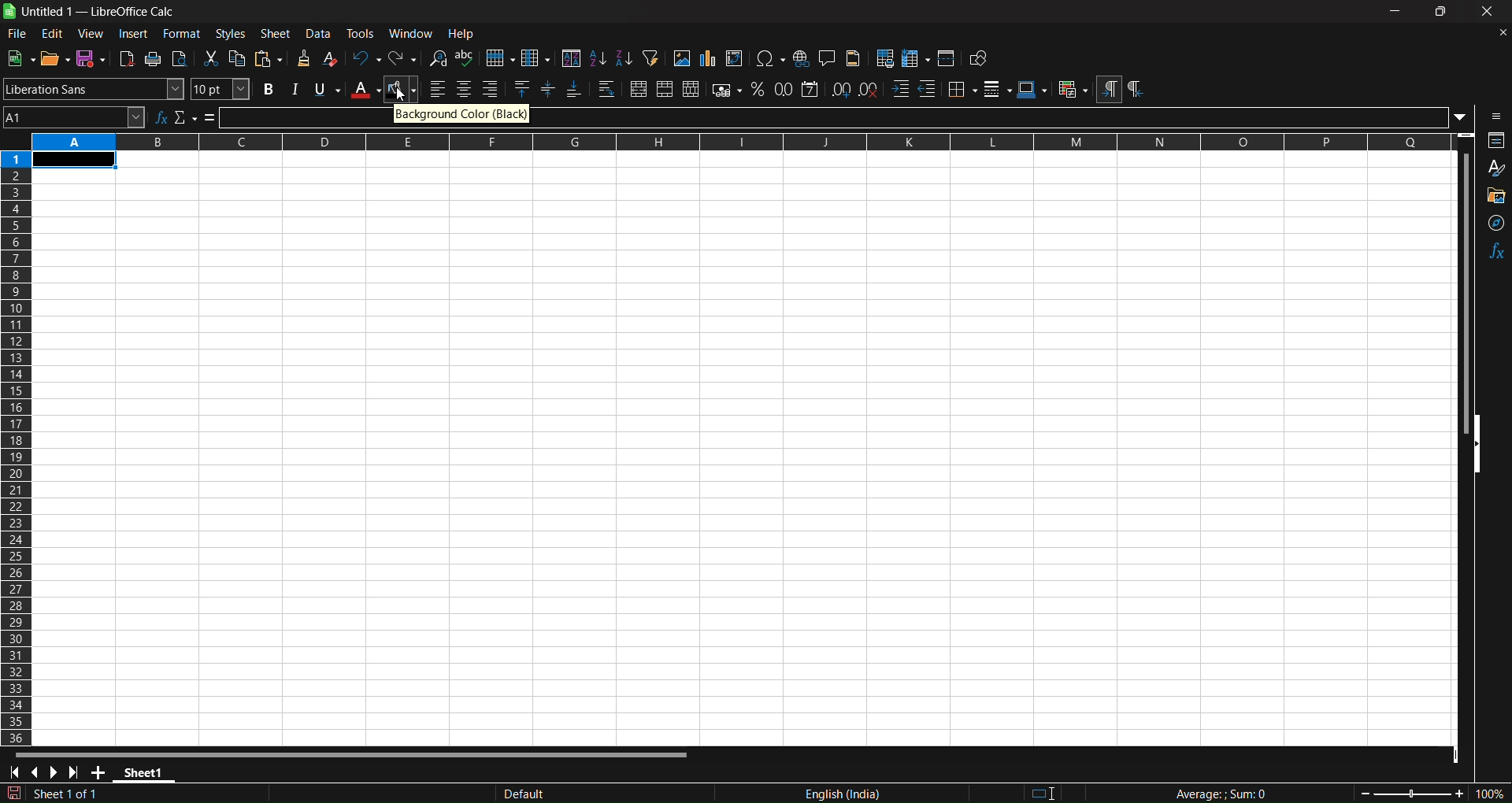  I want to click on function wizard, so click(162, 118).